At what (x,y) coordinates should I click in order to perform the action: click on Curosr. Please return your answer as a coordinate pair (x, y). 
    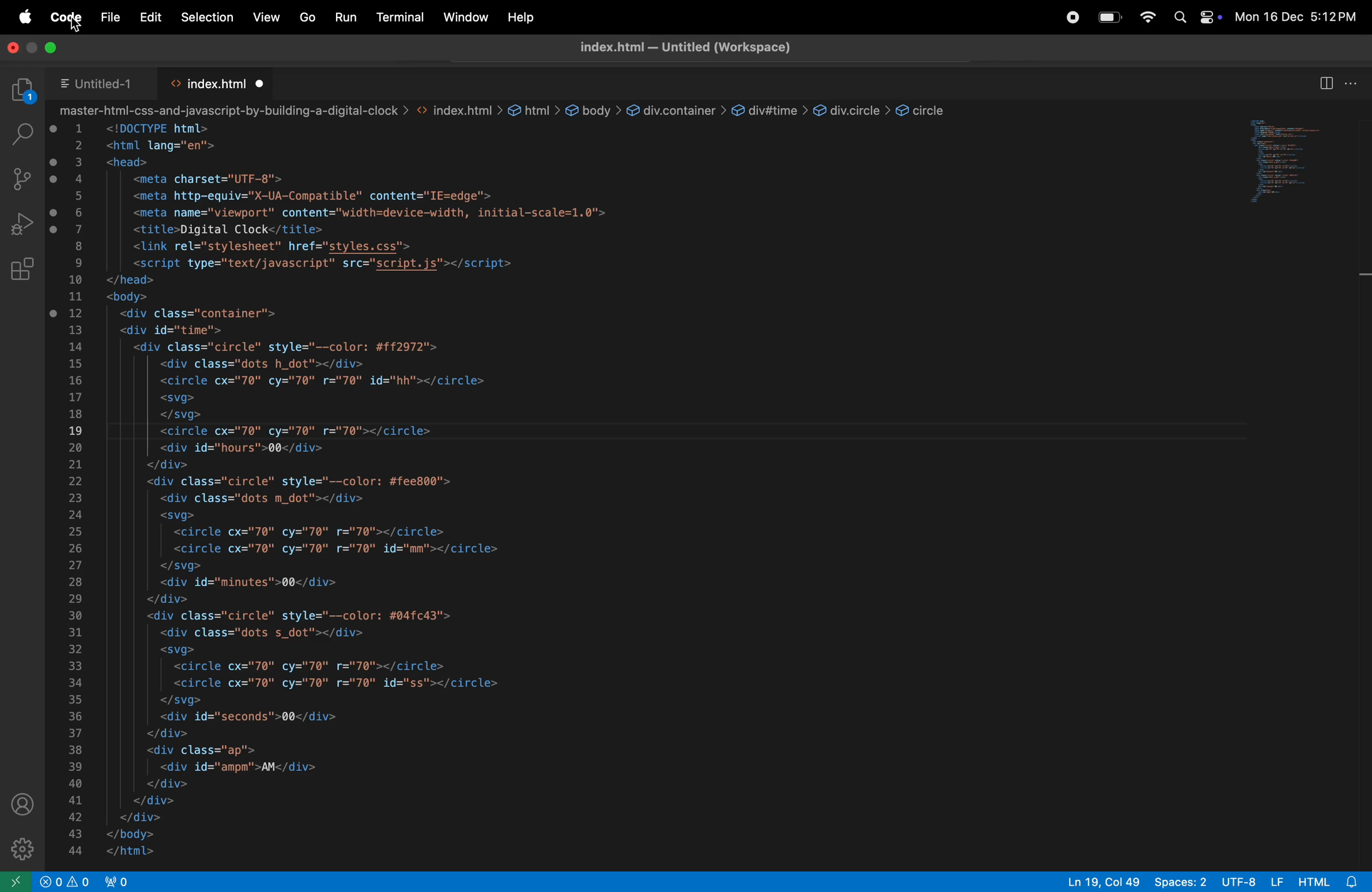
    Looking at the image, I should click on (77, 25).